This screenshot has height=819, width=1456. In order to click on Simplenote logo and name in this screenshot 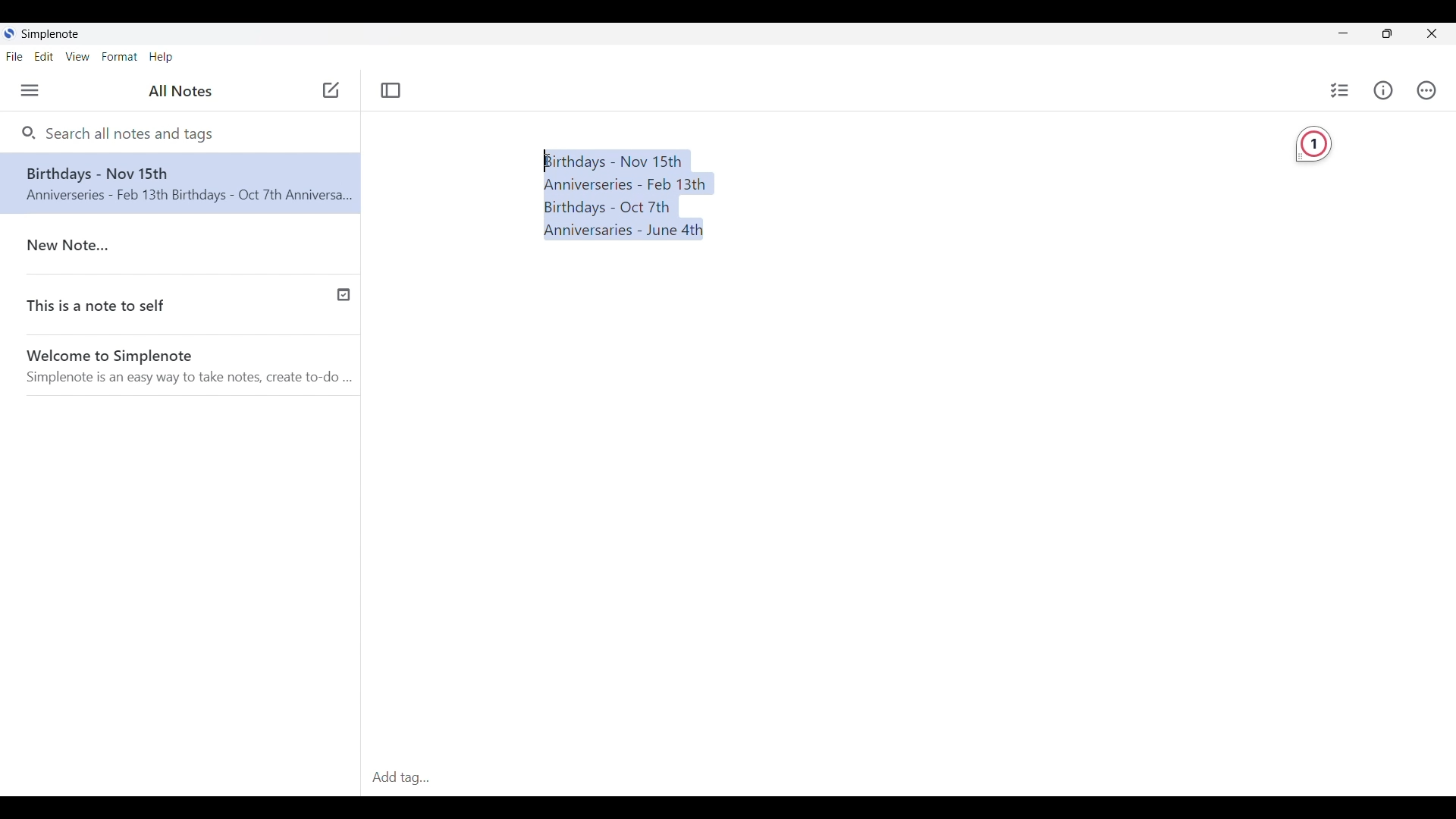, I will do `click(61, 33)`.